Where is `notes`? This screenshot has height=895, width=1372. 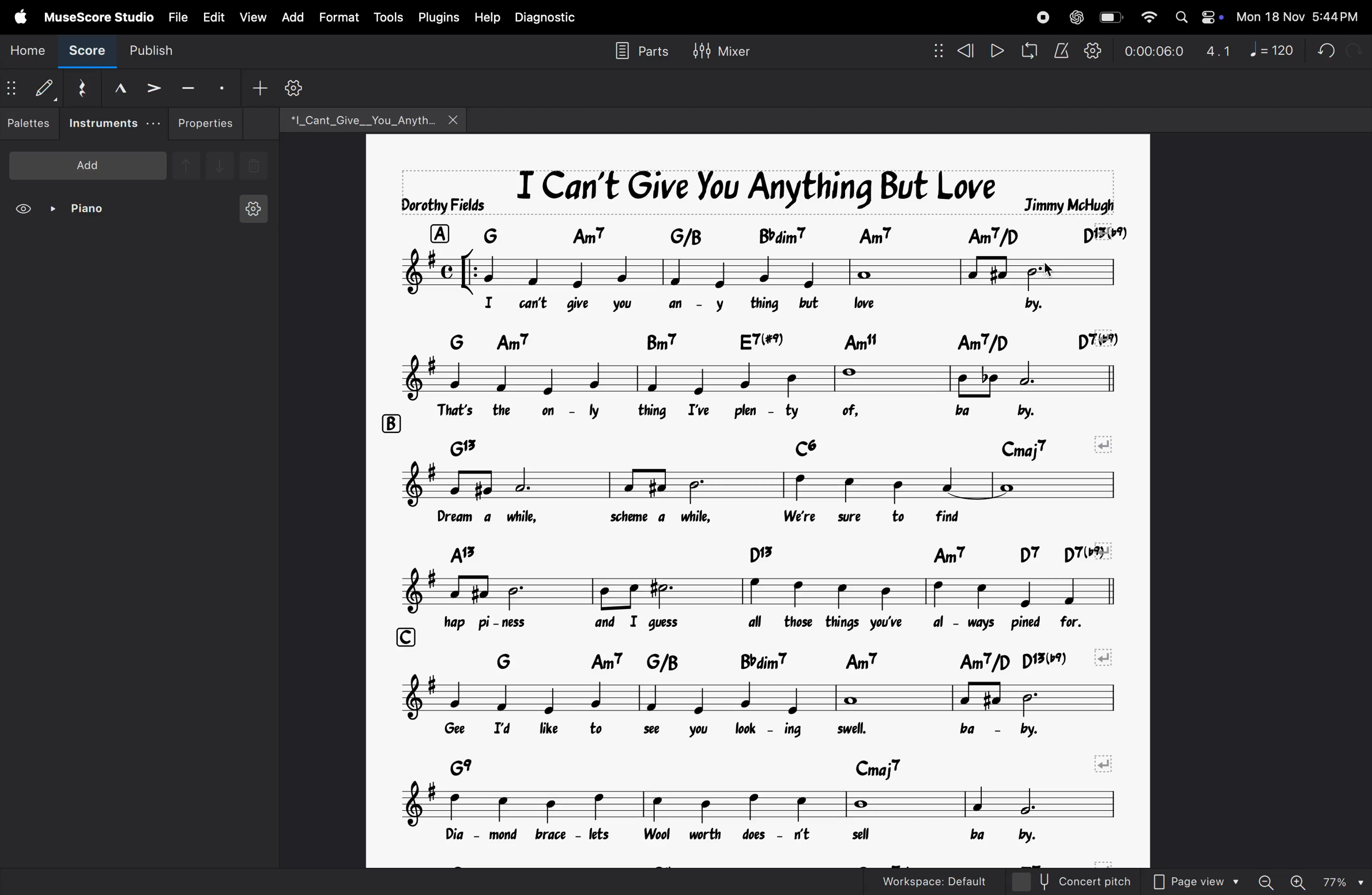 notes is located at coordinates (767, 379).